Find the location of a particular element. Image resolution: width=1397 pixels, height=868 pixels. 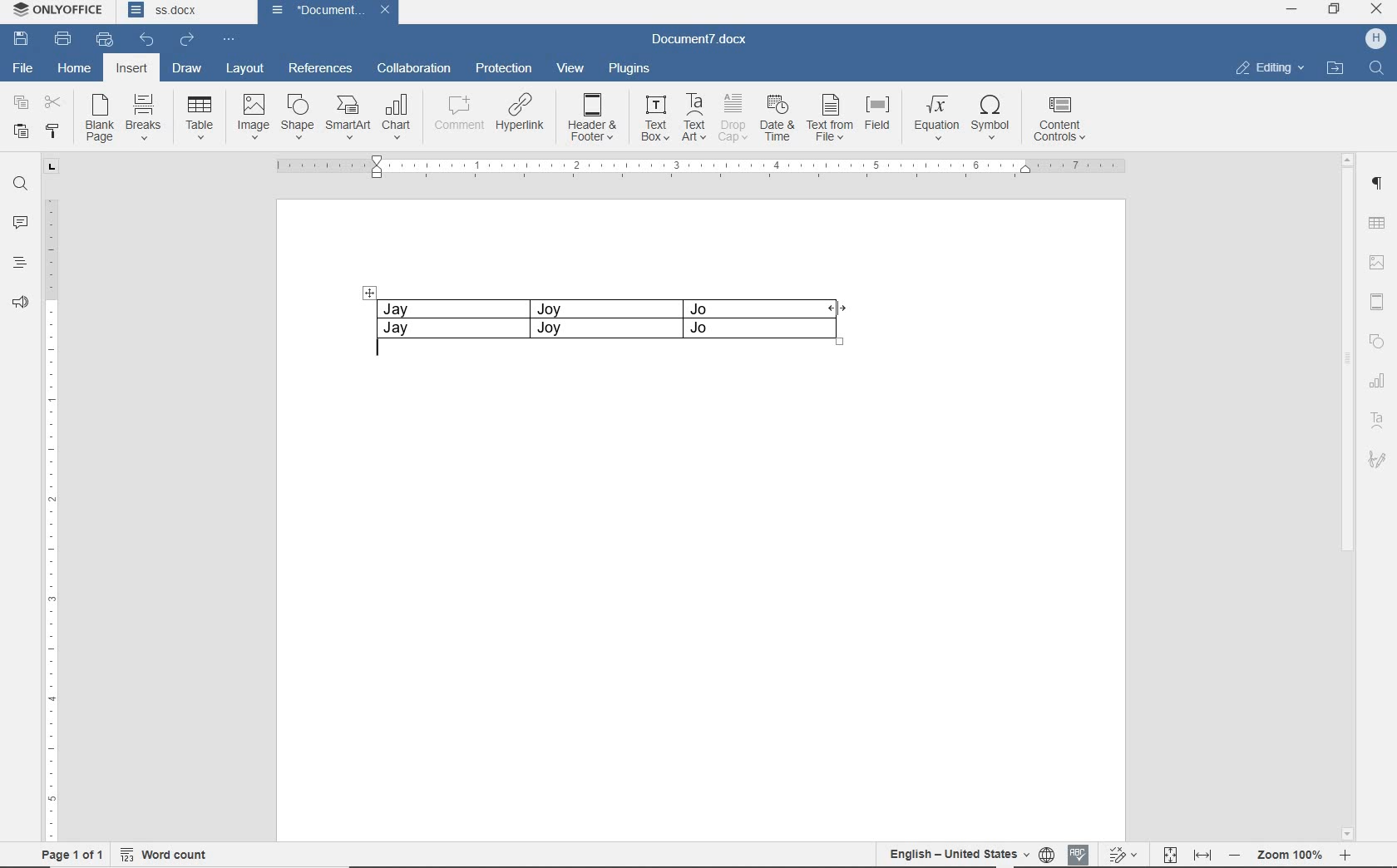

FIT TO PAGE is located at coordinates (1171, 852).